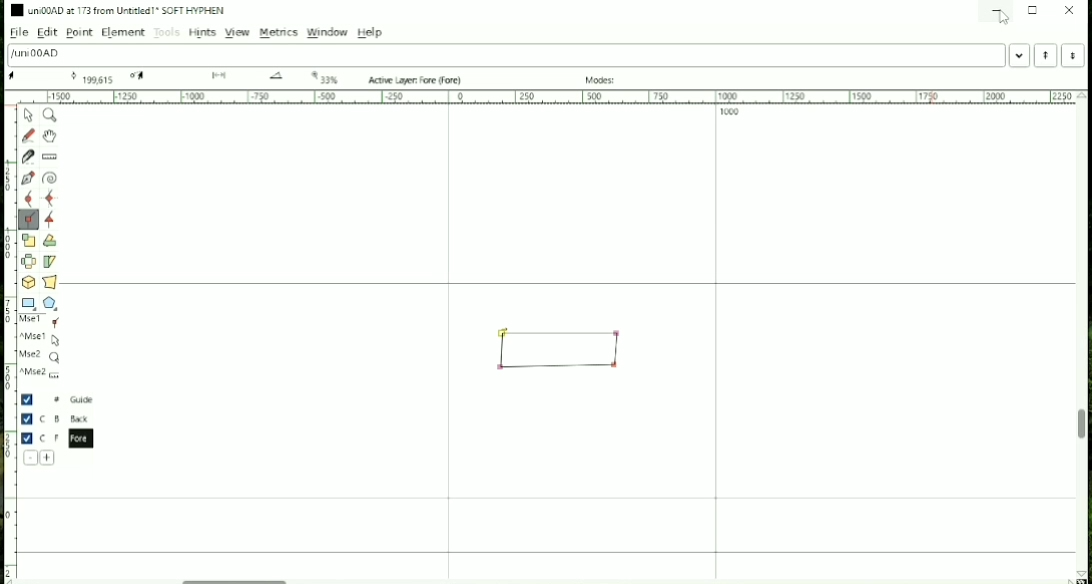 The image size is (1092, 584). What do you see at coordinates (41, 357) in the screenshot?
I see `Mse2` at bounding box center [41, 357].